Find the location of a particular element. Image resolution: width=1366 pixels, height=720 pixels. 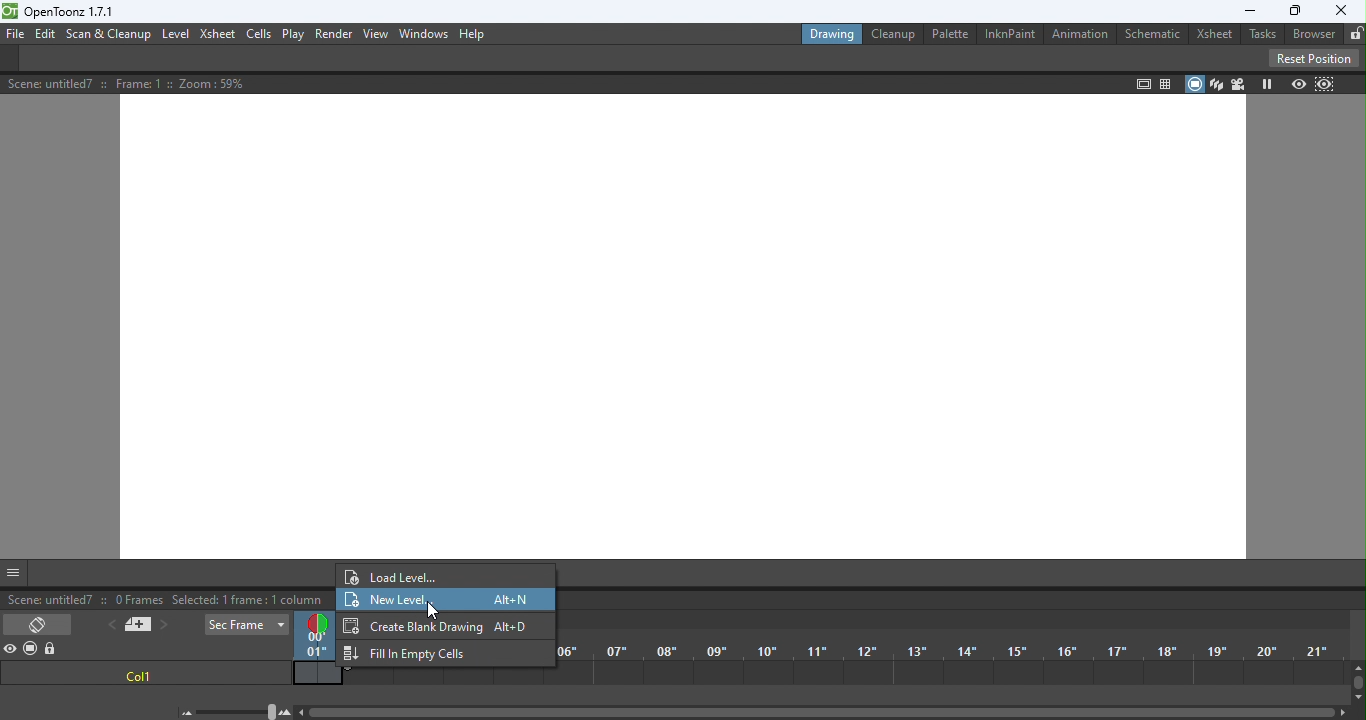

col1 is located at coordinates (136, 677).